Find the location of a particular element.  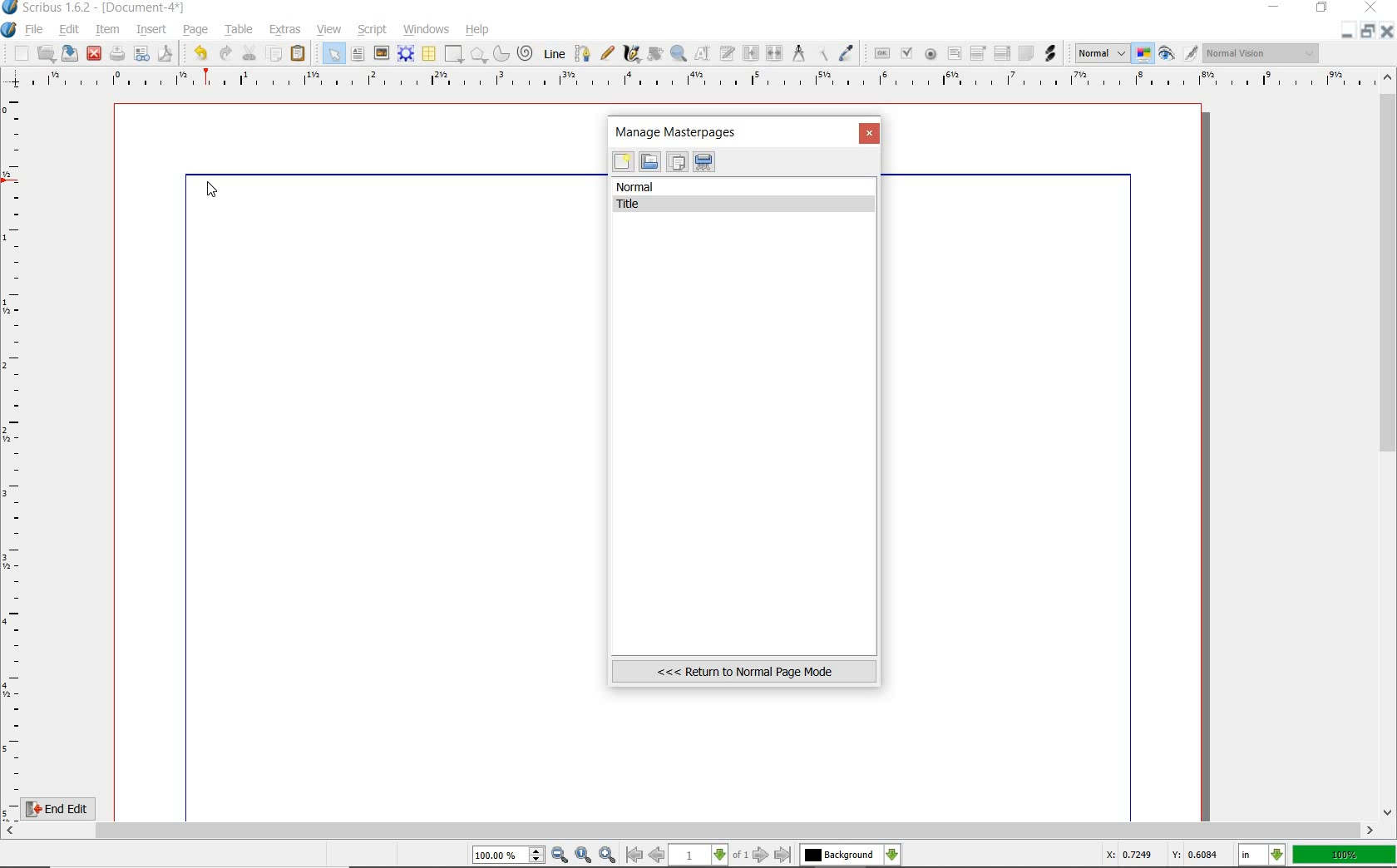

edit contents of frame is located at coordinates (704, 55).